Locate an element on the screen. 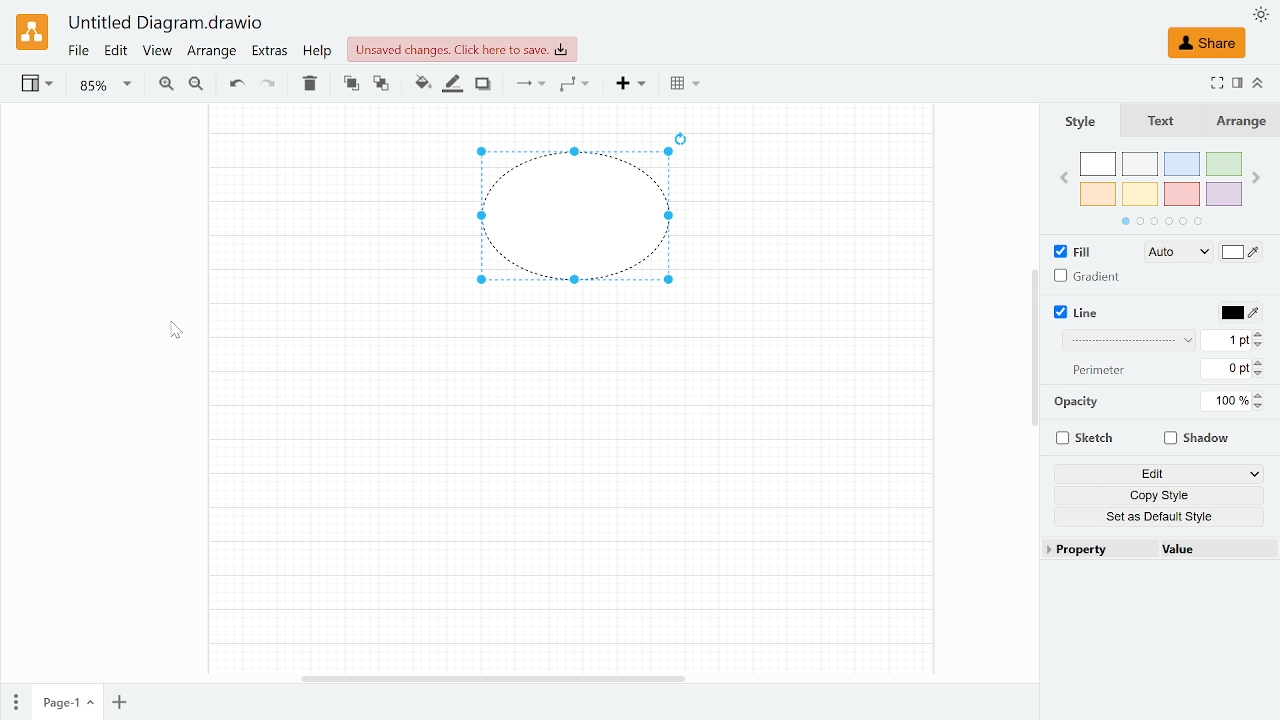 The height and width of the screenshot is (720, 1280). Line color is located at coordinates (1241, 314).